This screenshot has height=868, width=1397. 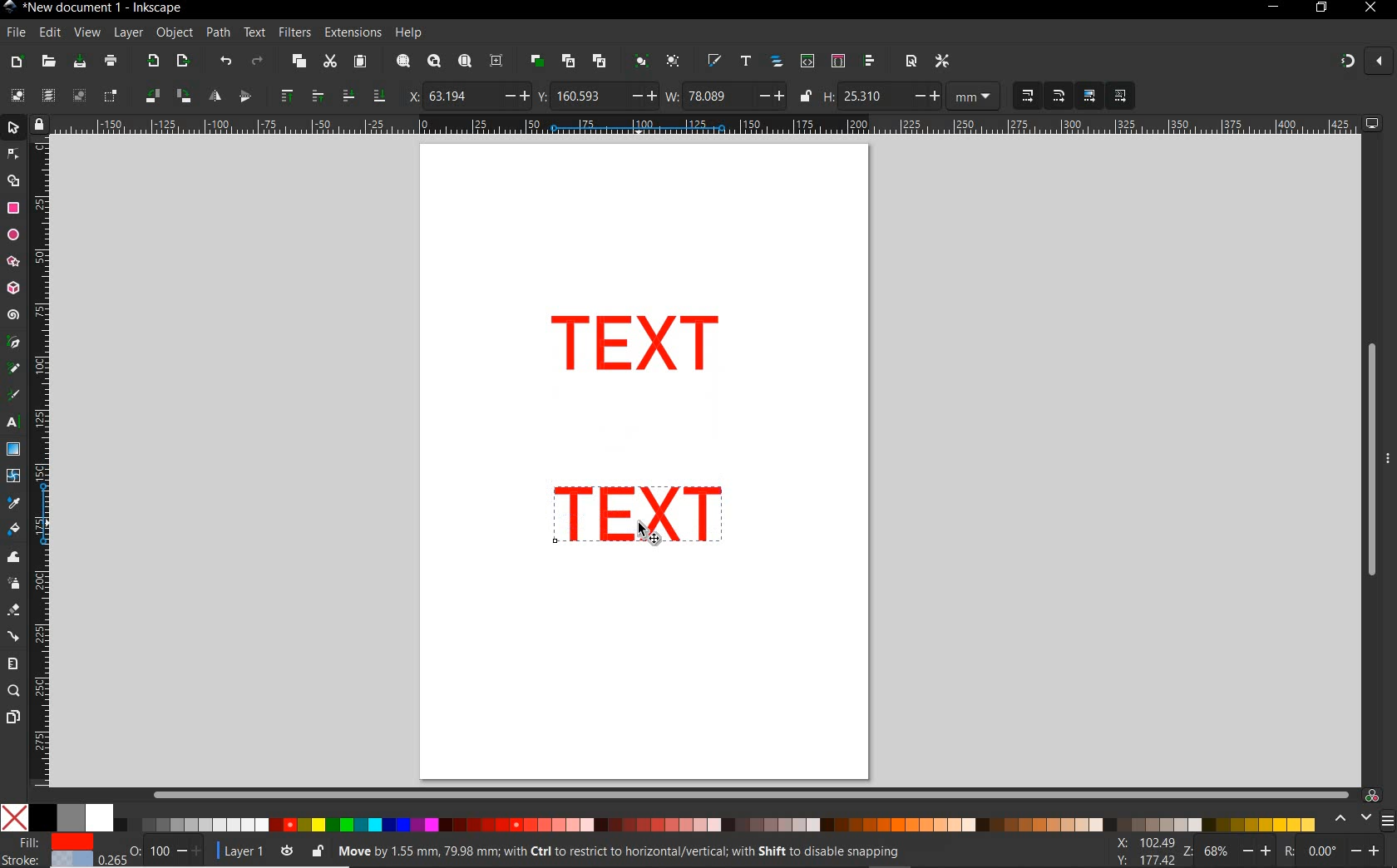 I want to click on edit, so click(x=49, y=32).